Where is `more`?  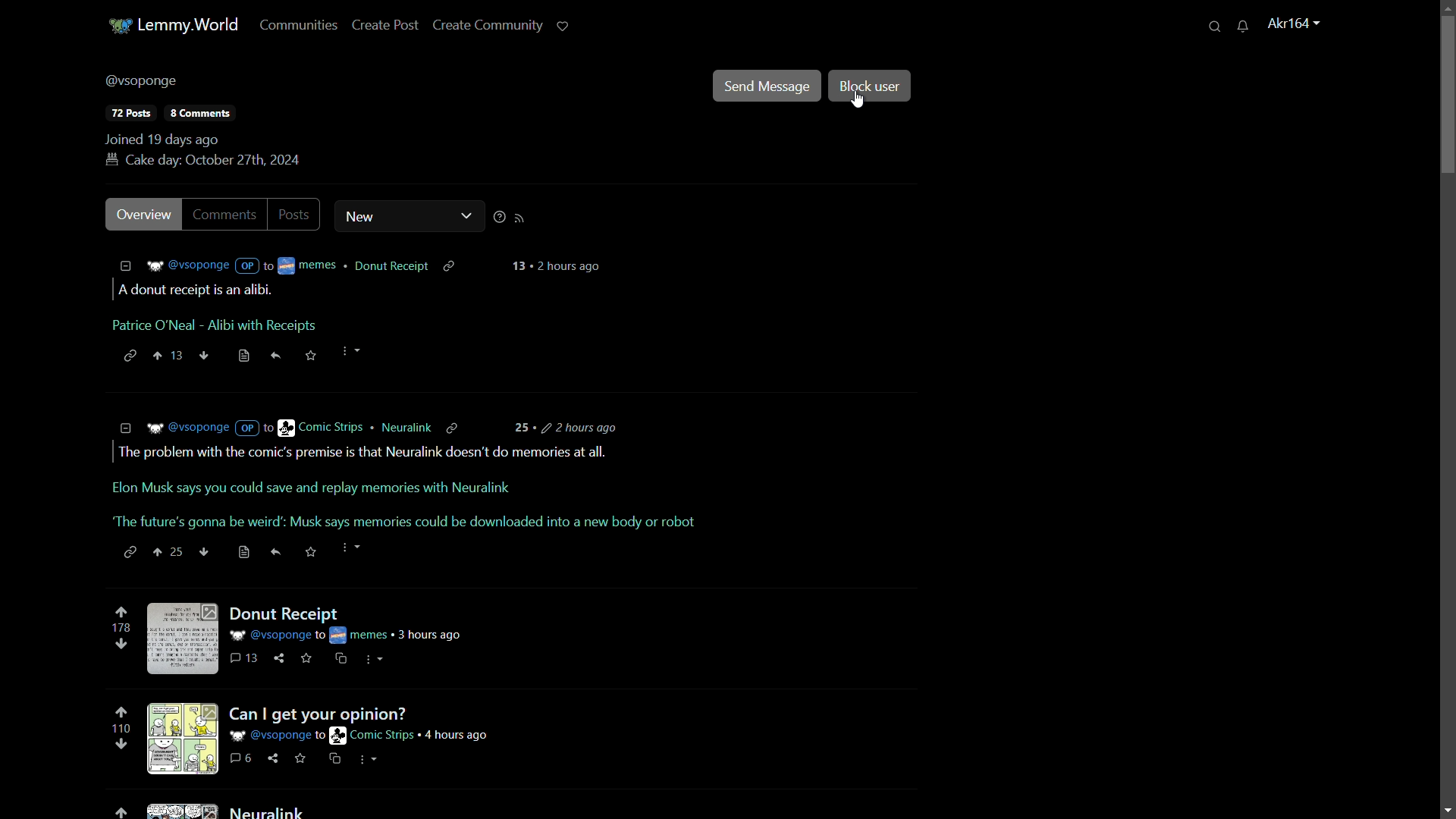
more is located at coordinates (375, 662).